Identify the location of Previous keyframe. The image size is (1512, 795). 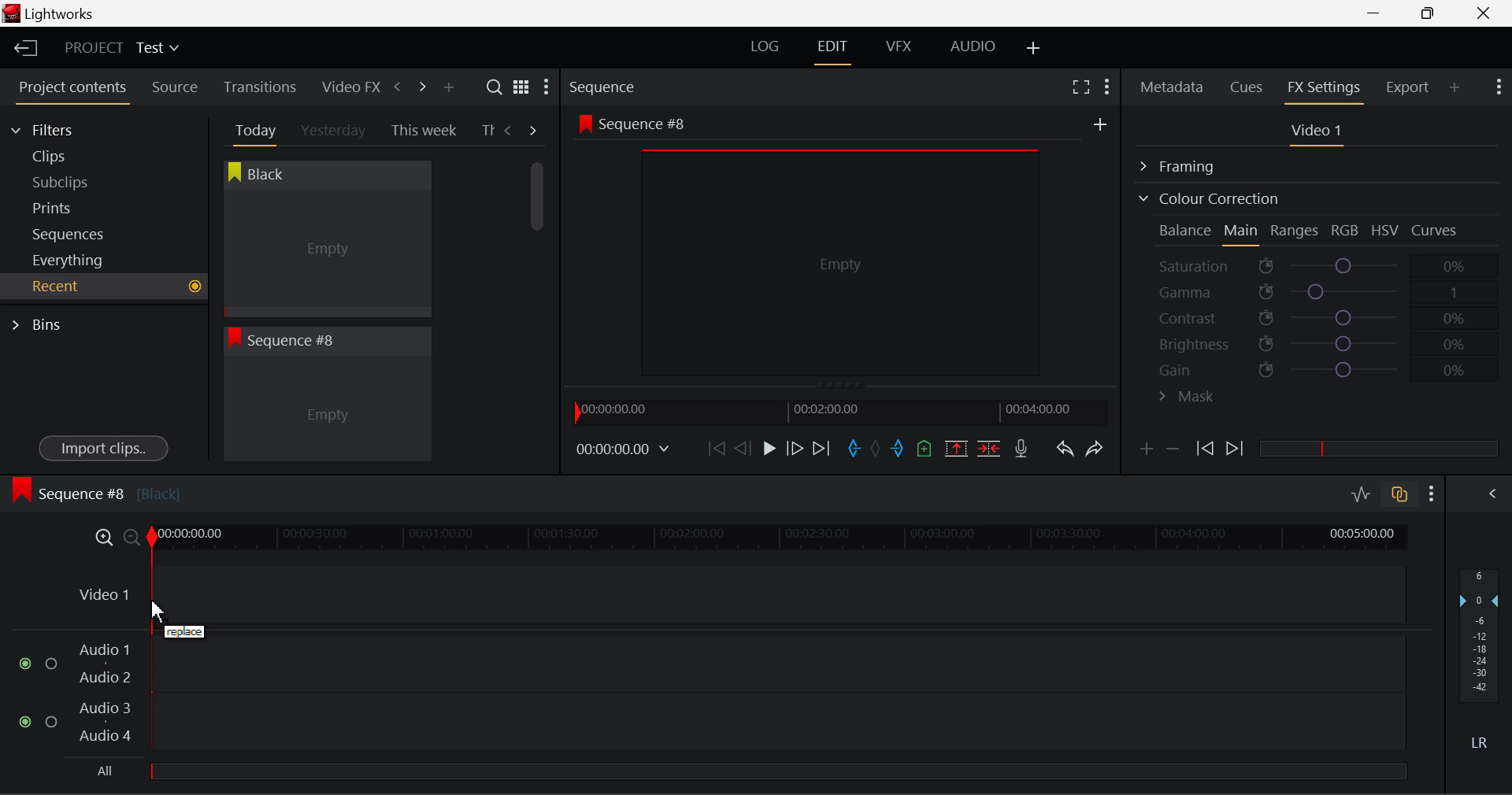
(1203, 449).